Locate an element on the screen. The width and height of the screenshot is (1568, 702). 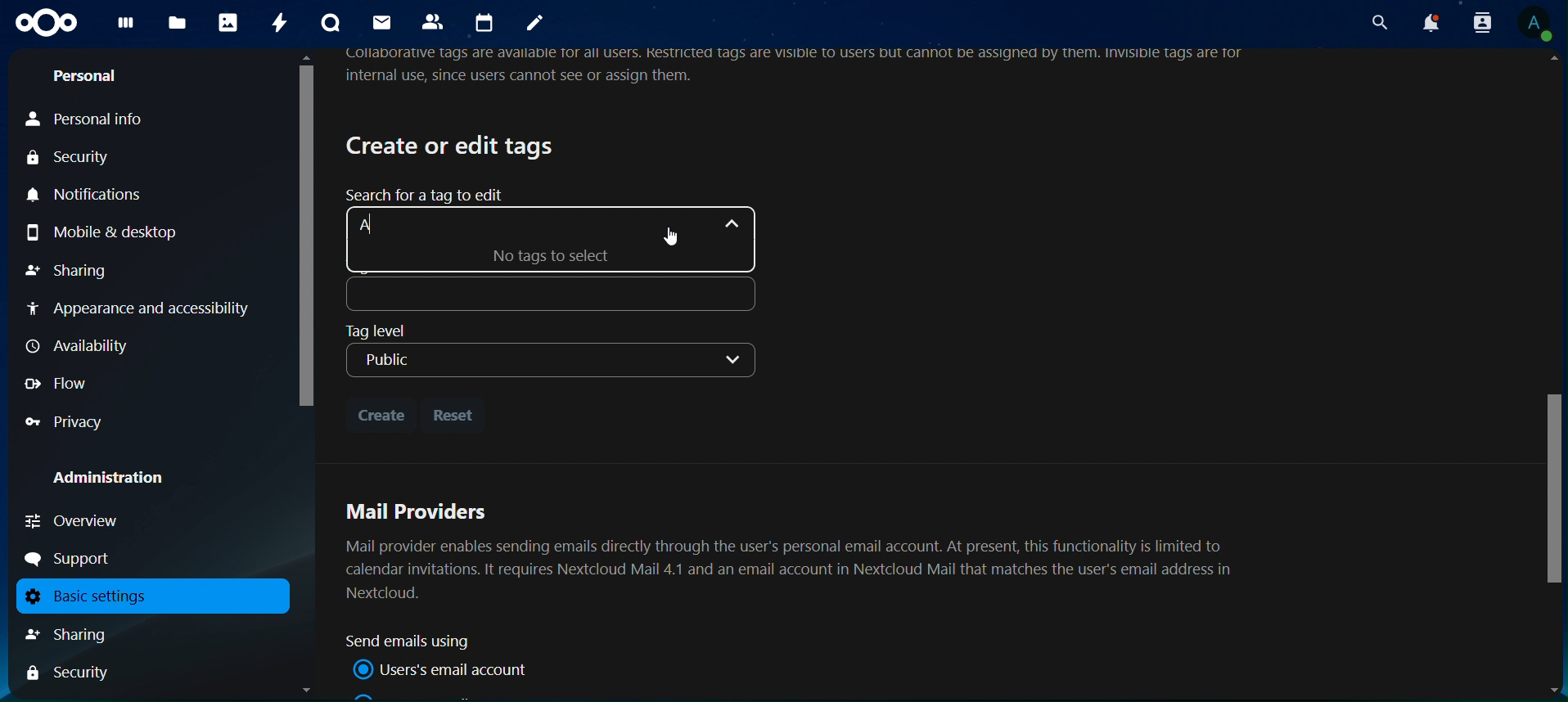
basic settings is located at coordinates (146, 596).